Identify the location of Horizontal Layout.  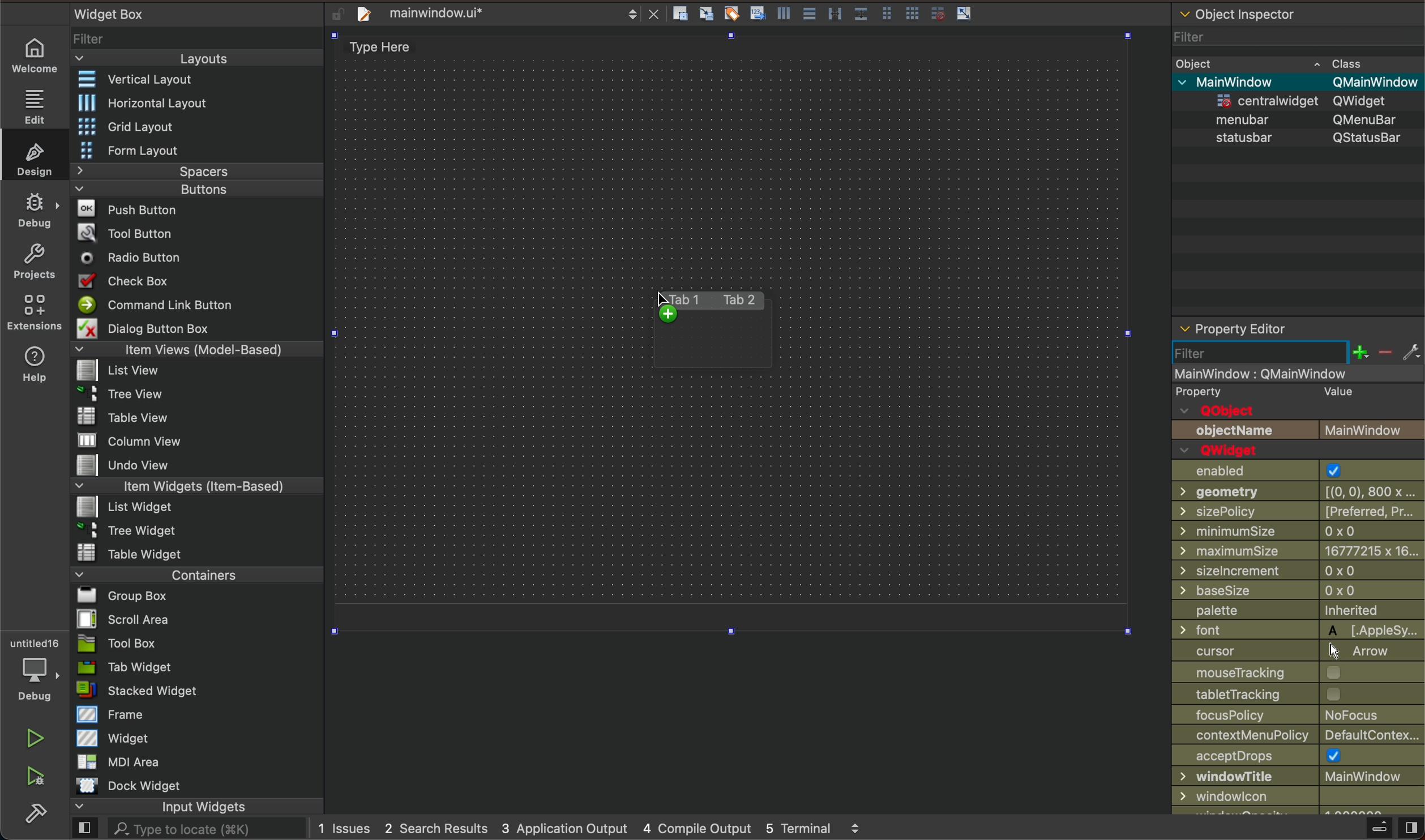
(134, 104).